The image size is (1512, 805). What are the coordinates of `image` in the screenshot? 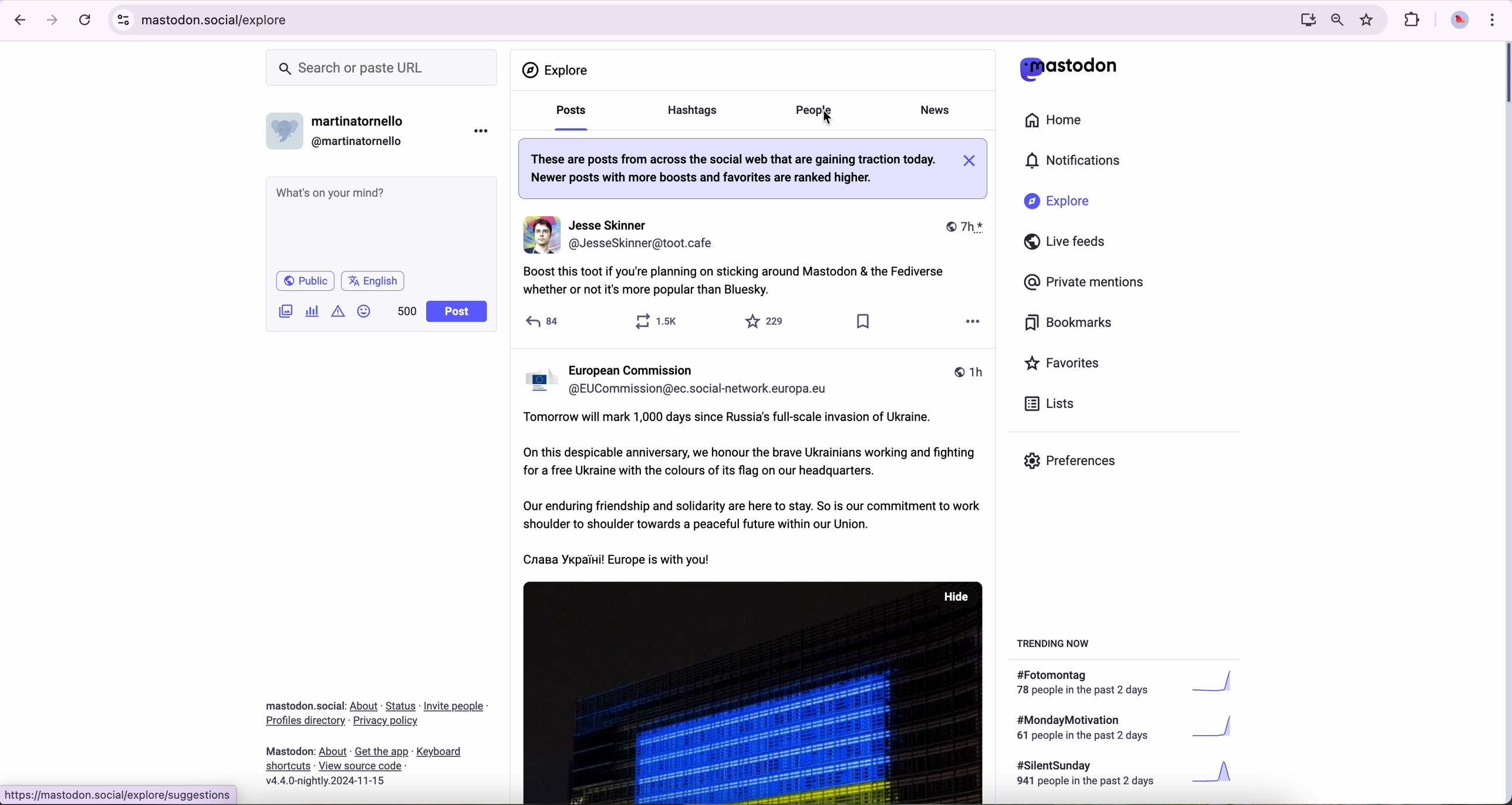 It's located at (754, 692).